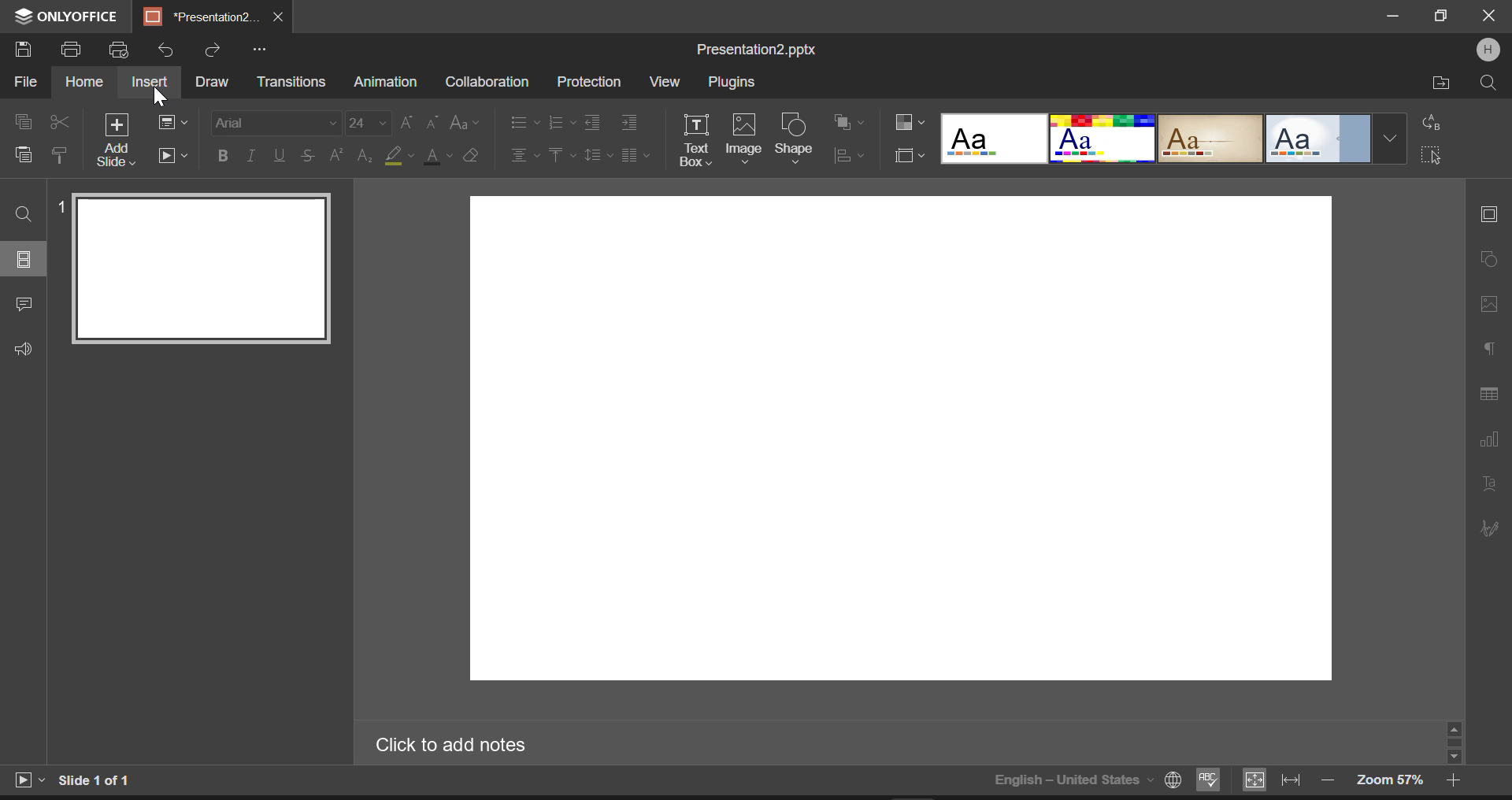  I want to click on Shape, so click(795, 139).